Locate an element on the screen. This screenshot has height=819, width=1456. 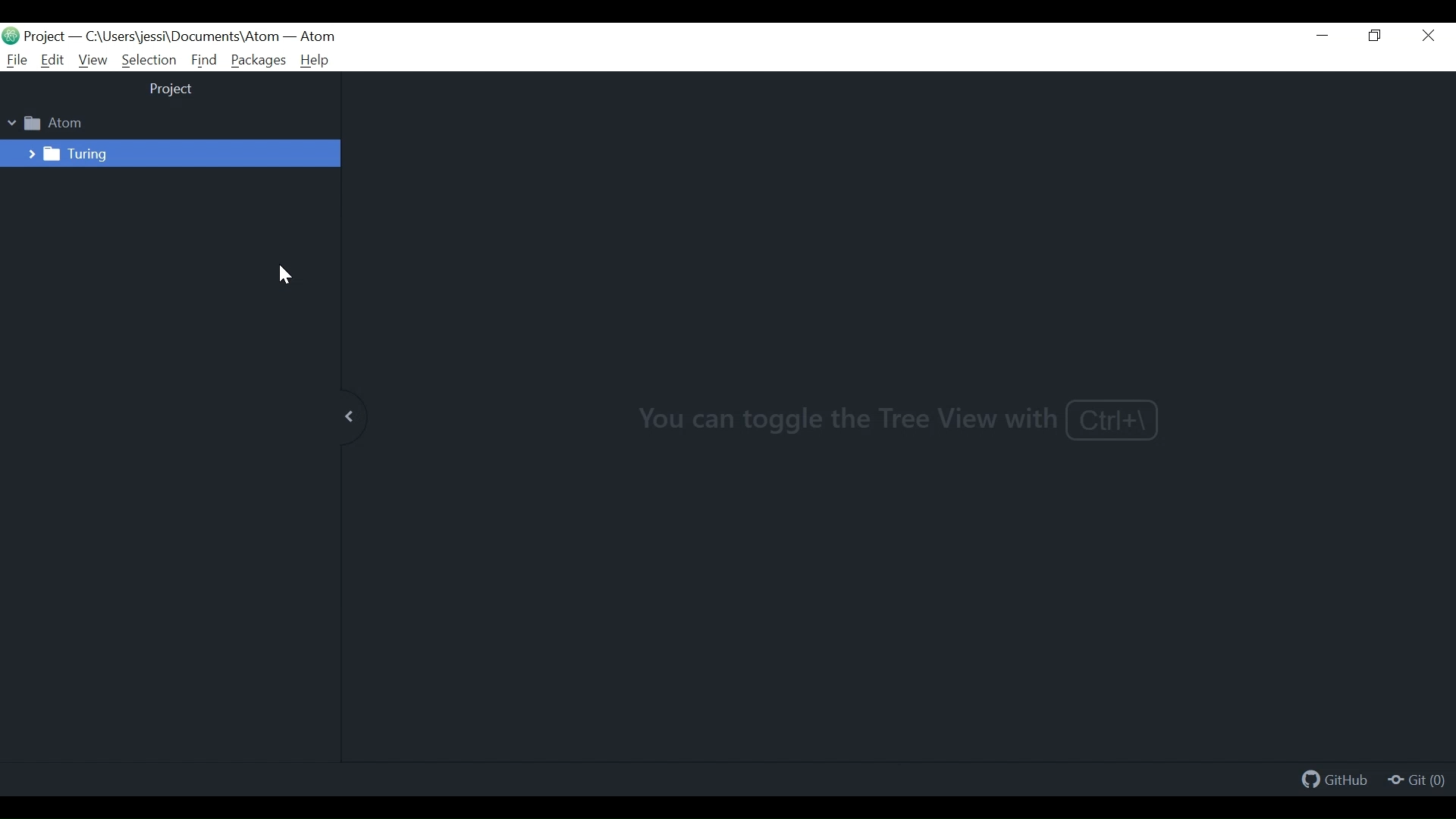
Find is located at coordinates (205, 60).